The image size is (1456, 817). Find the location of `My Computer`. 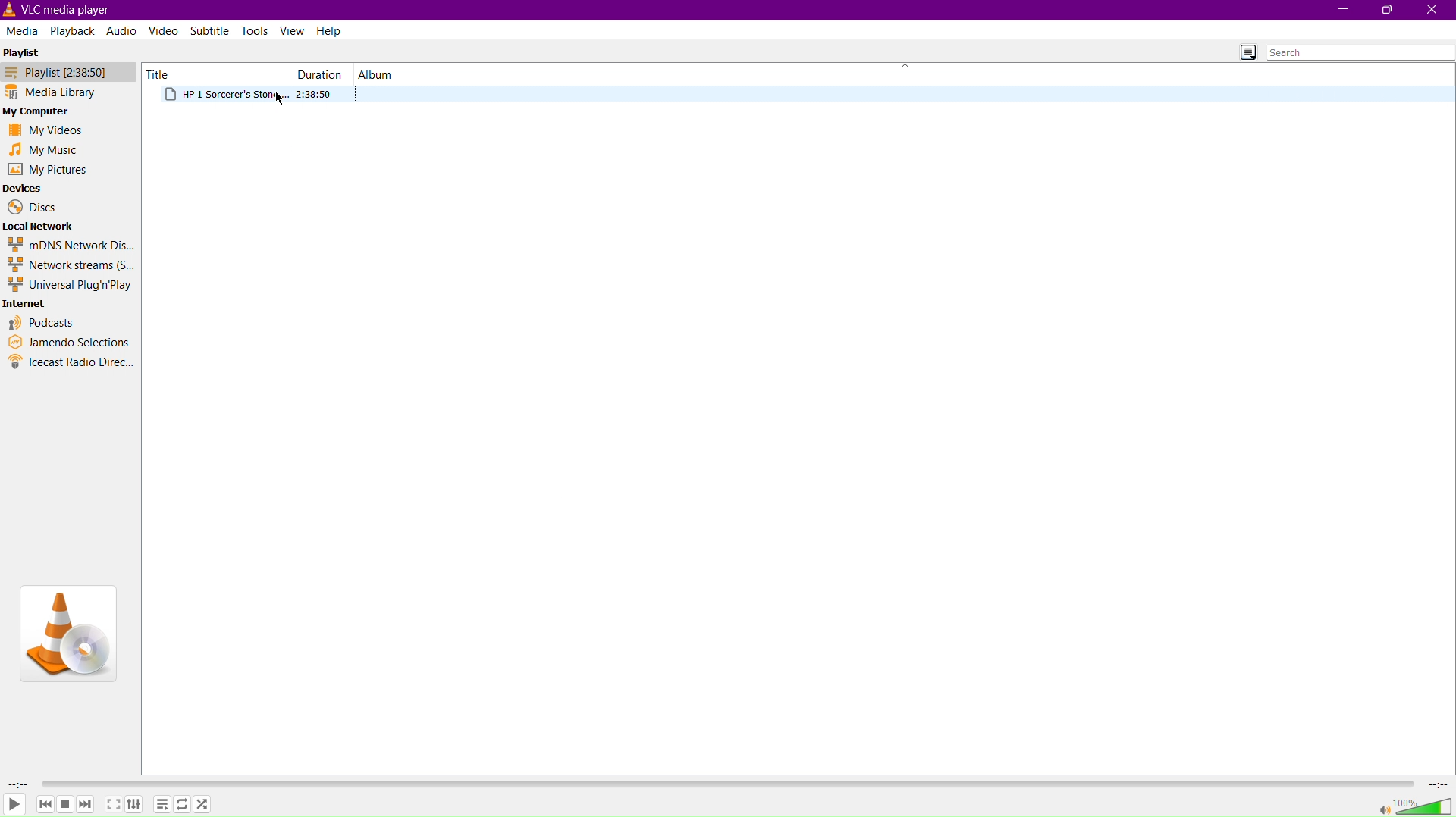

My Computer is located at coordinates (42, 110).